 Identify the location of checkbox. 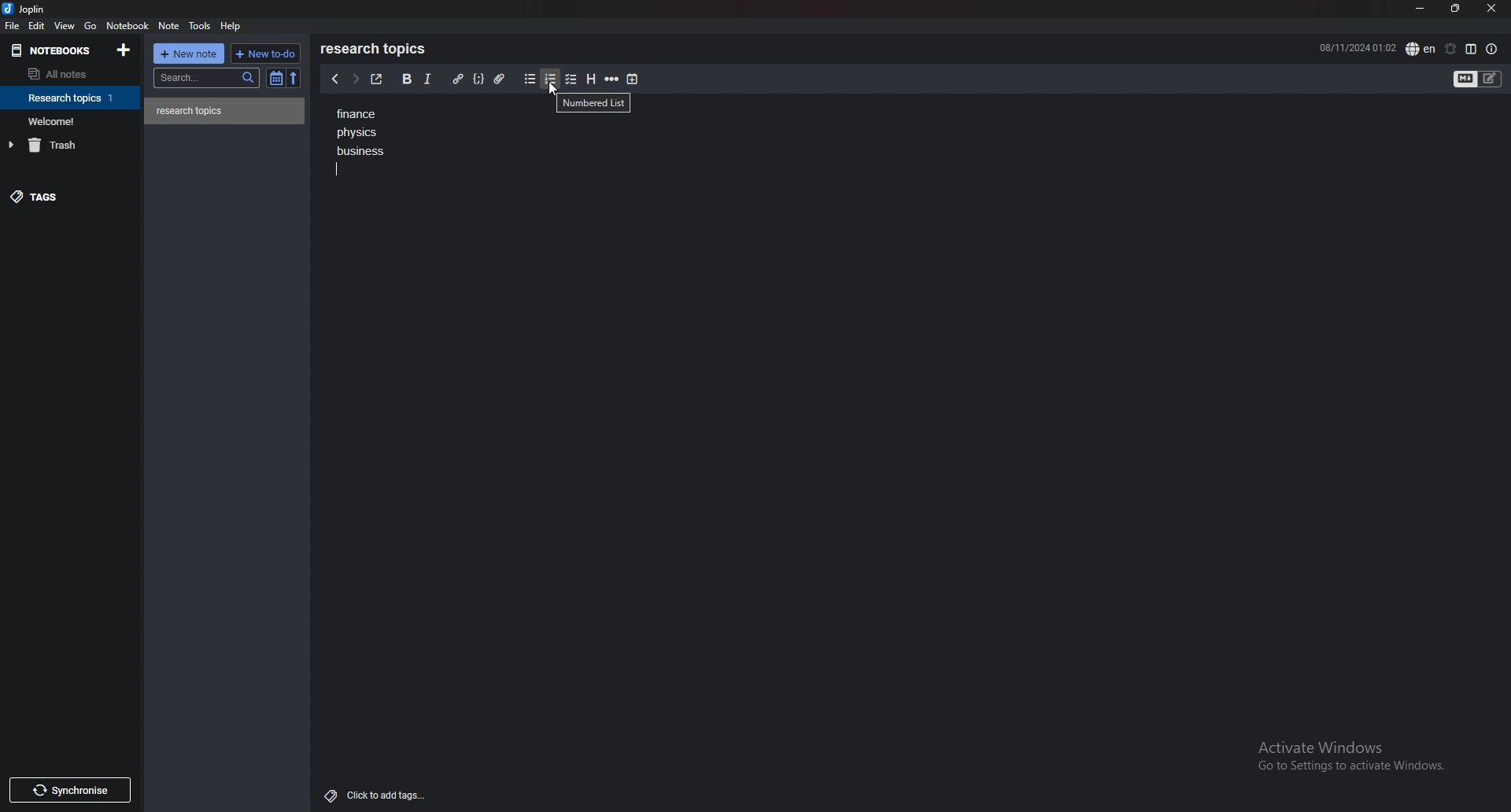
(571, 79).